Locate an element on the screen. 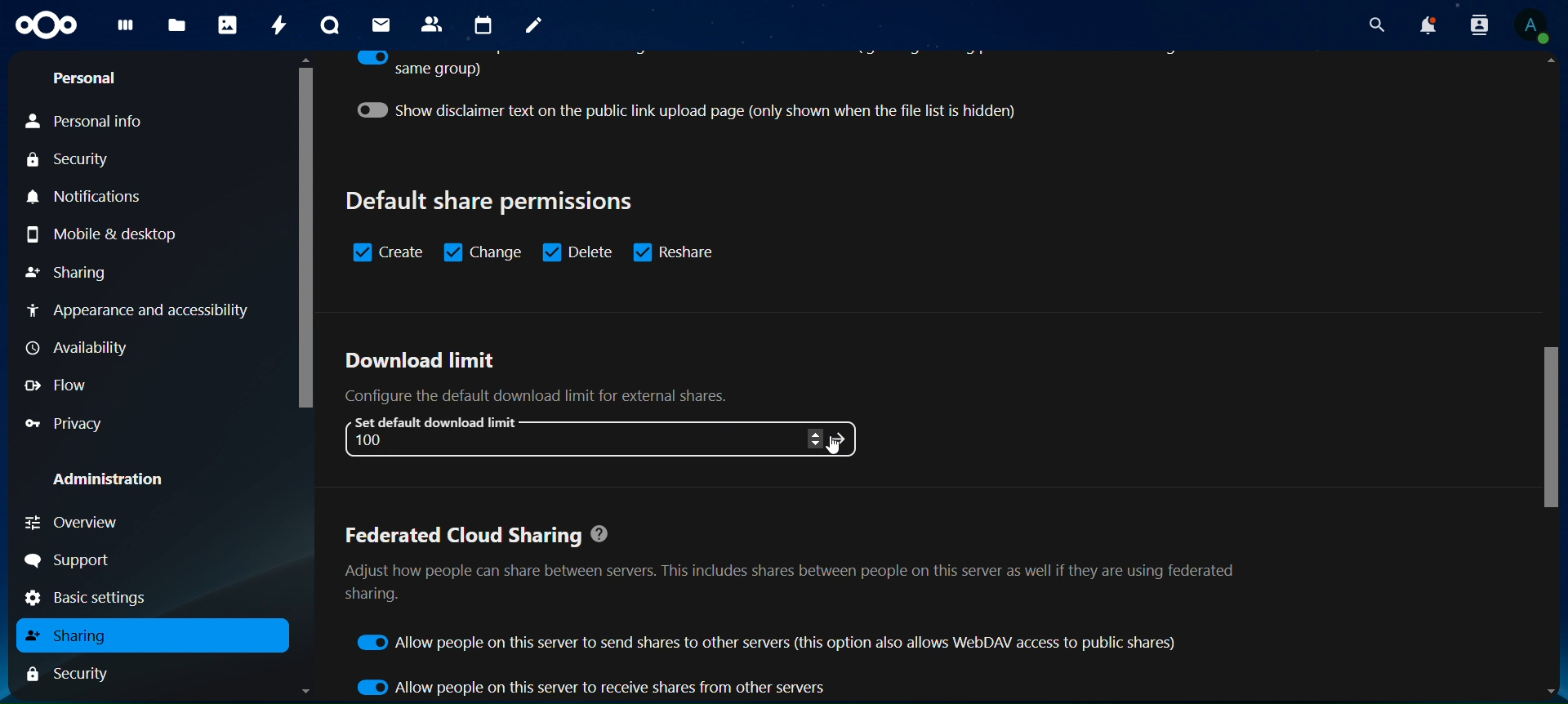  personal info is located at coordinates (87, 122).